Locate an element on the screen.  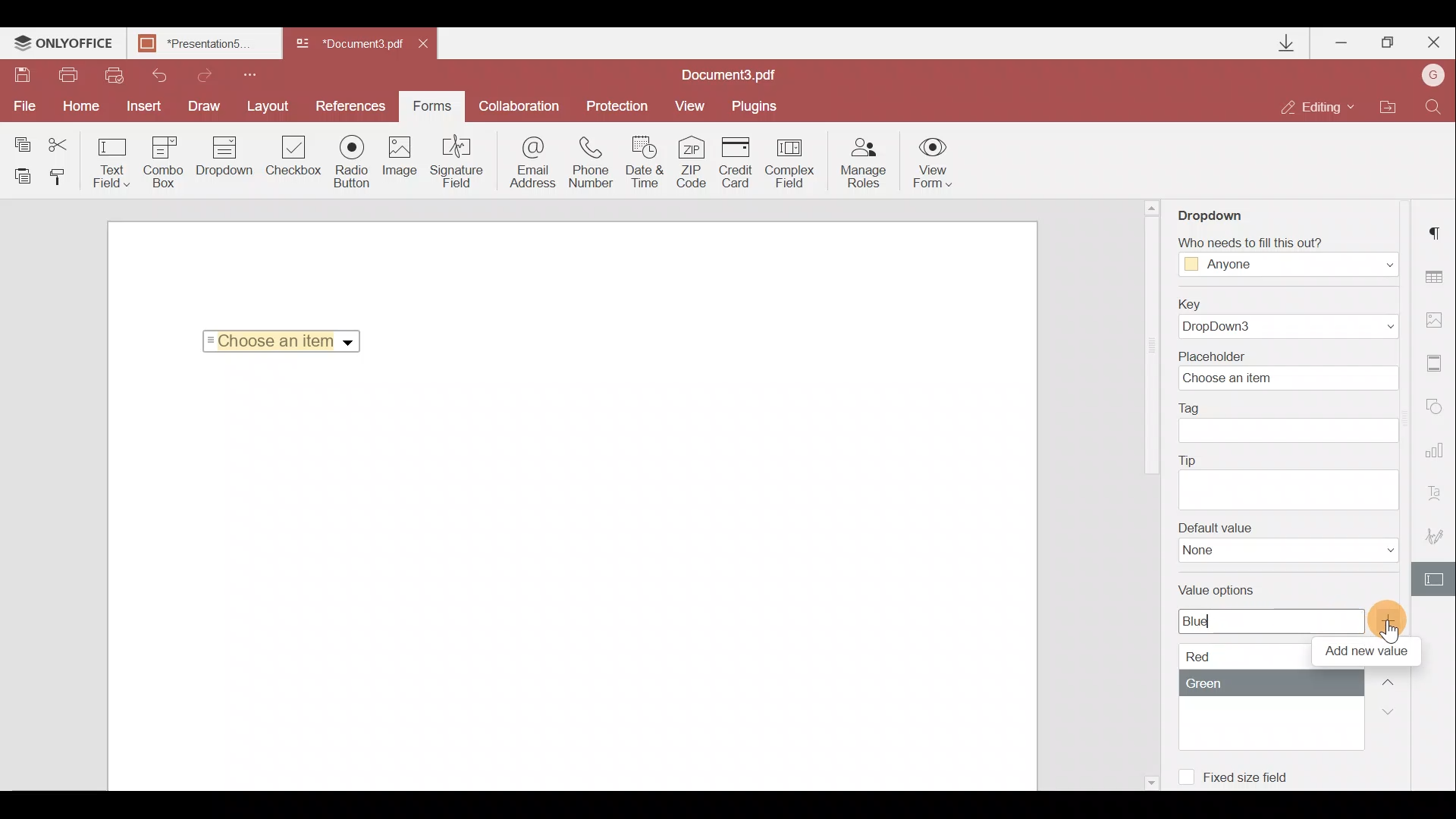
Print file is located at coordinates (73, 75).